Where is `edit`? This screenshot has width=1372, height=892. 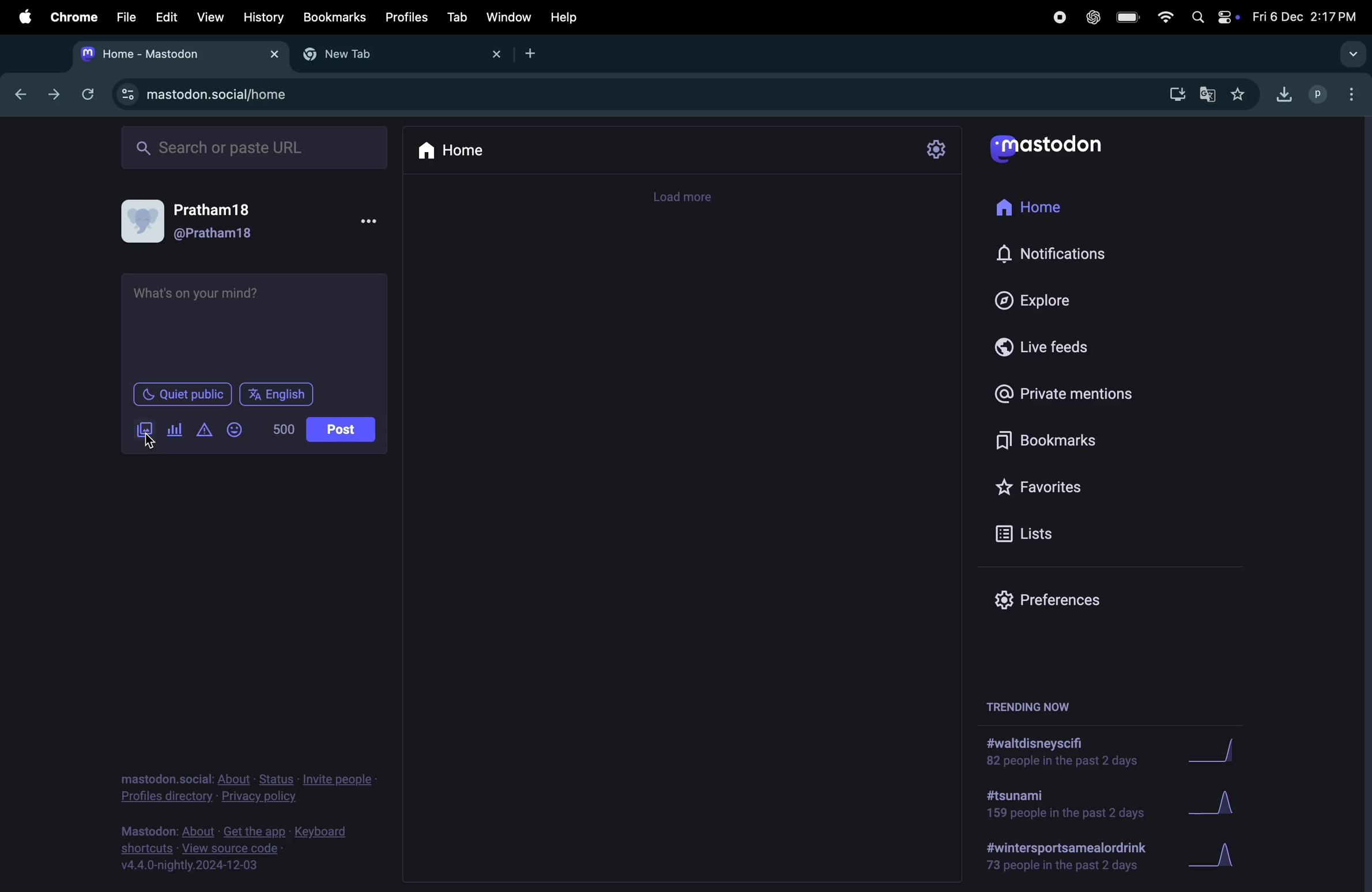 edit is located at coordinates (166, 17).